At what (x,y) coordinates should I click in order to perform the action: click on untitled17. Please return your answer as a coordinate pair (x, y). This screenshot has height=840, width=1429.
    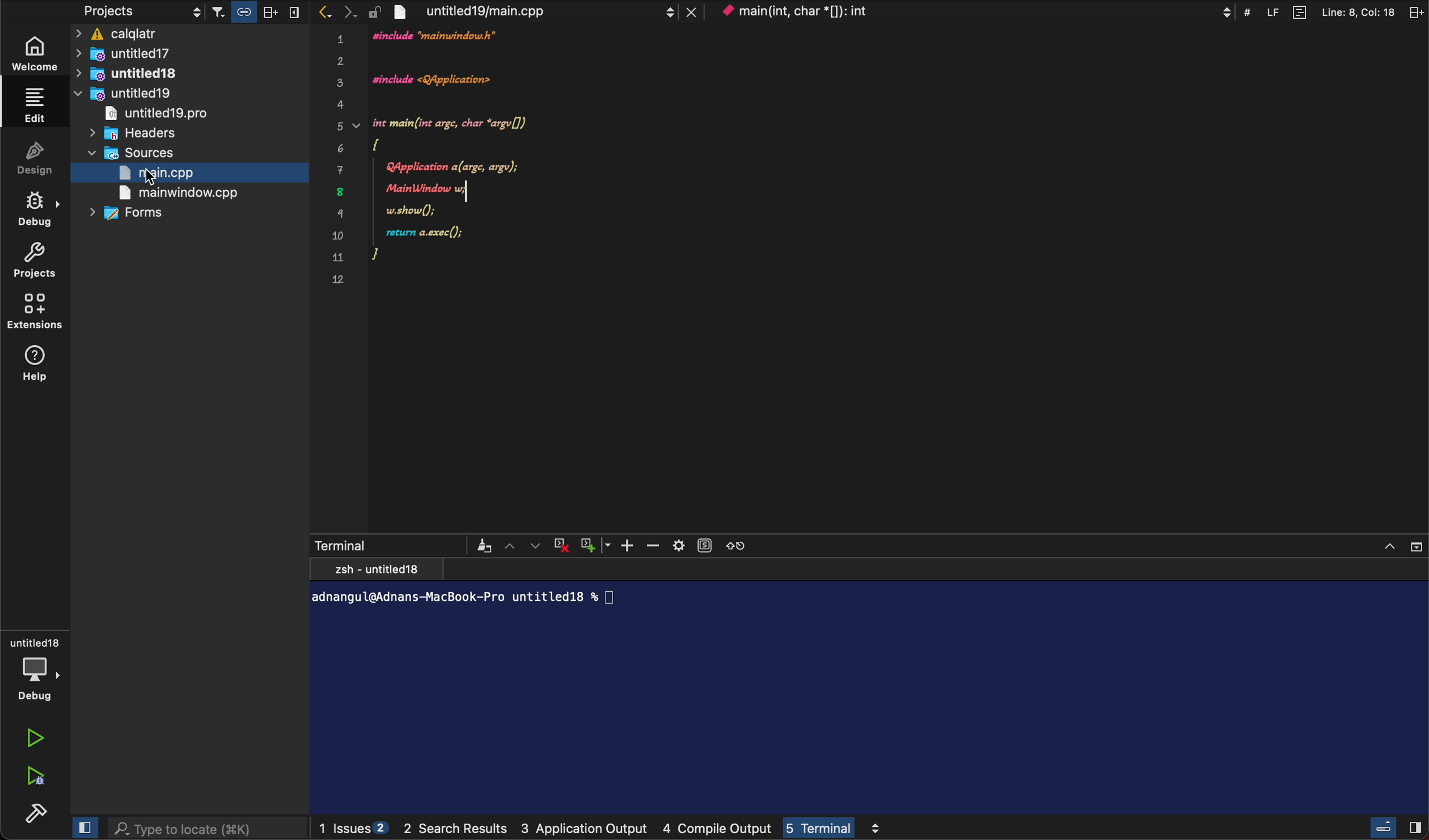
    Looking at the image, I should click on (152, 53).